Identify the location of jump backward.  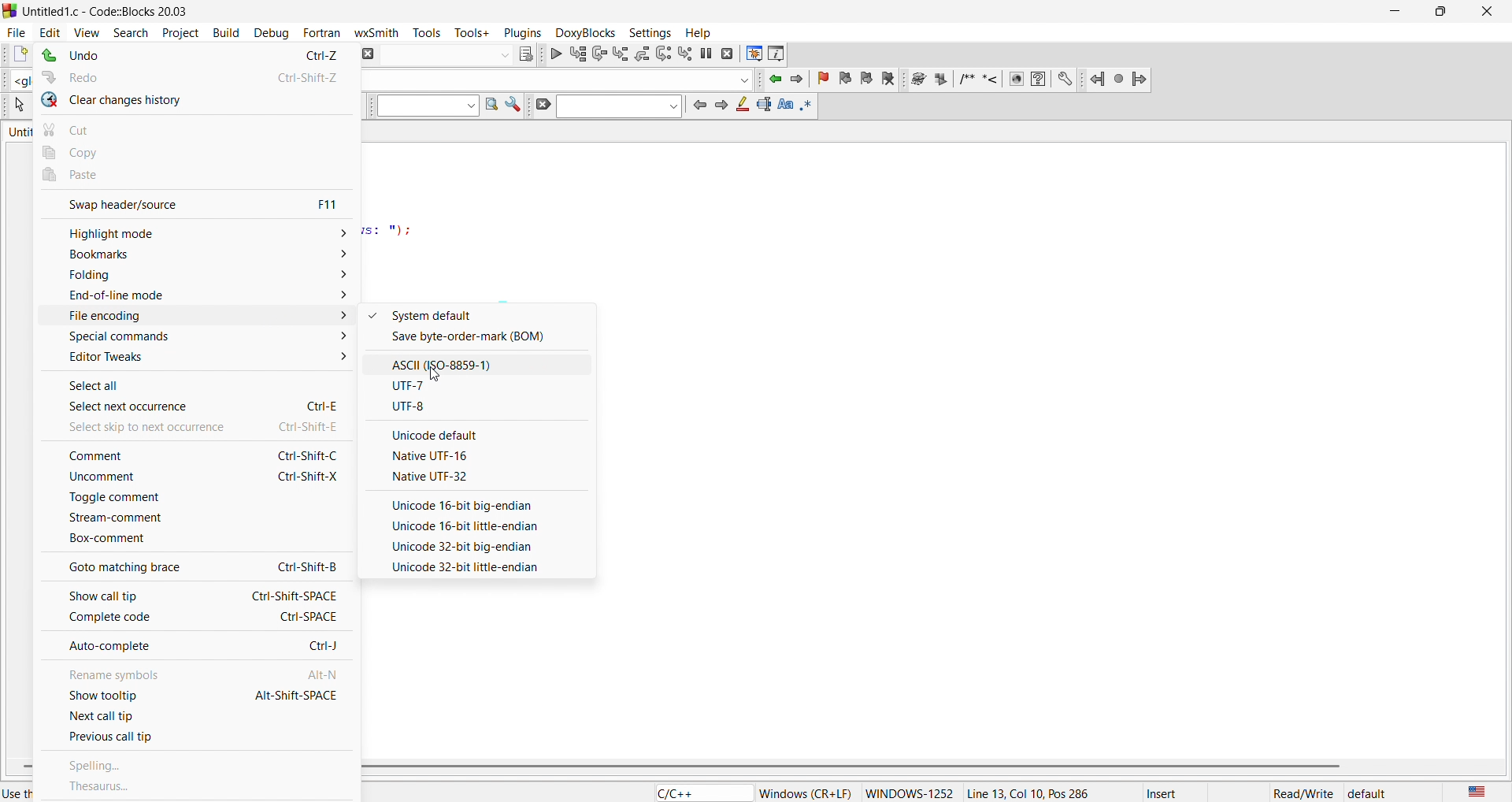
(773, 79).